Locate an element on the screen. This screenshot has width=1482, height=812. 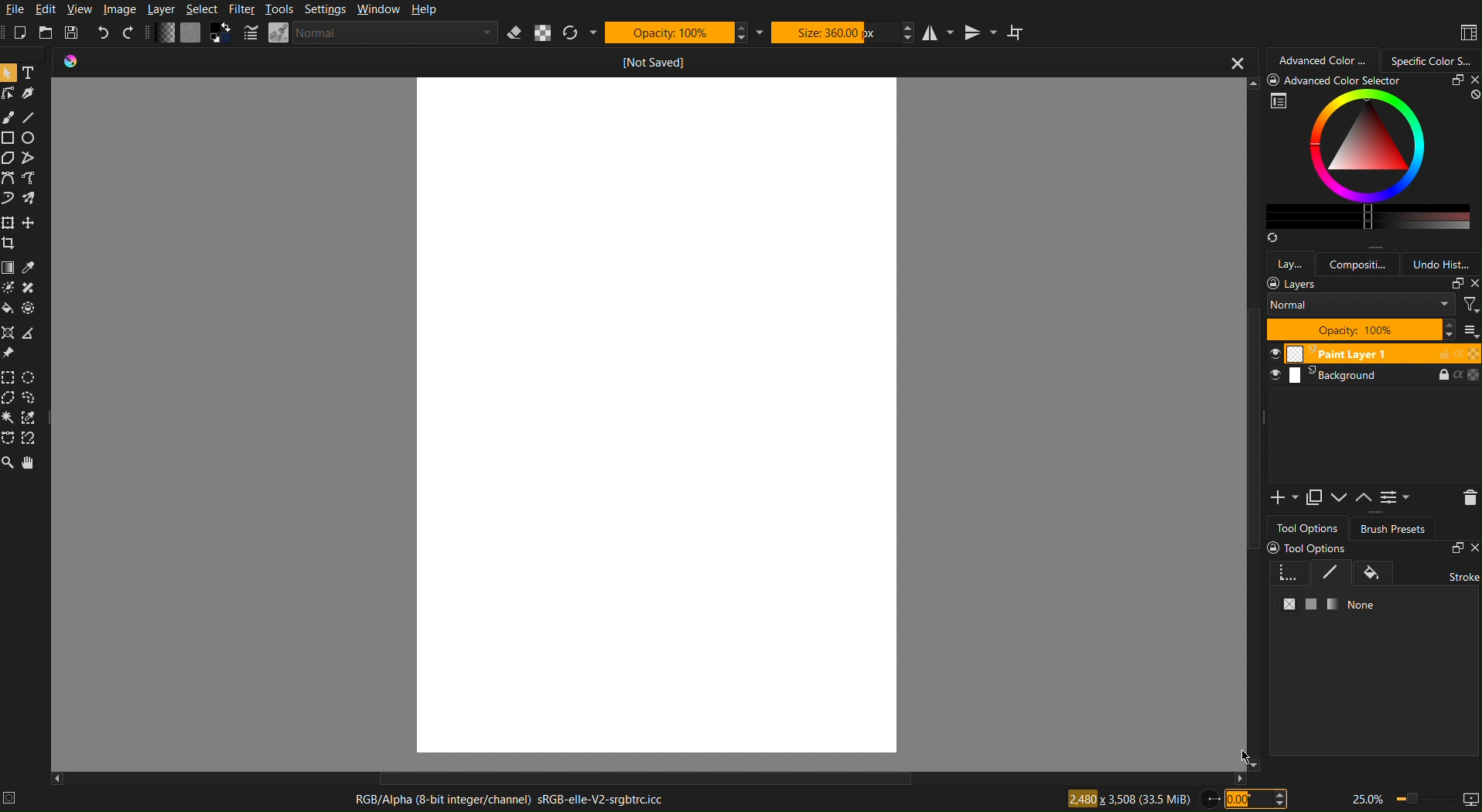
Tool Options is located at coordinates (1373, 588).